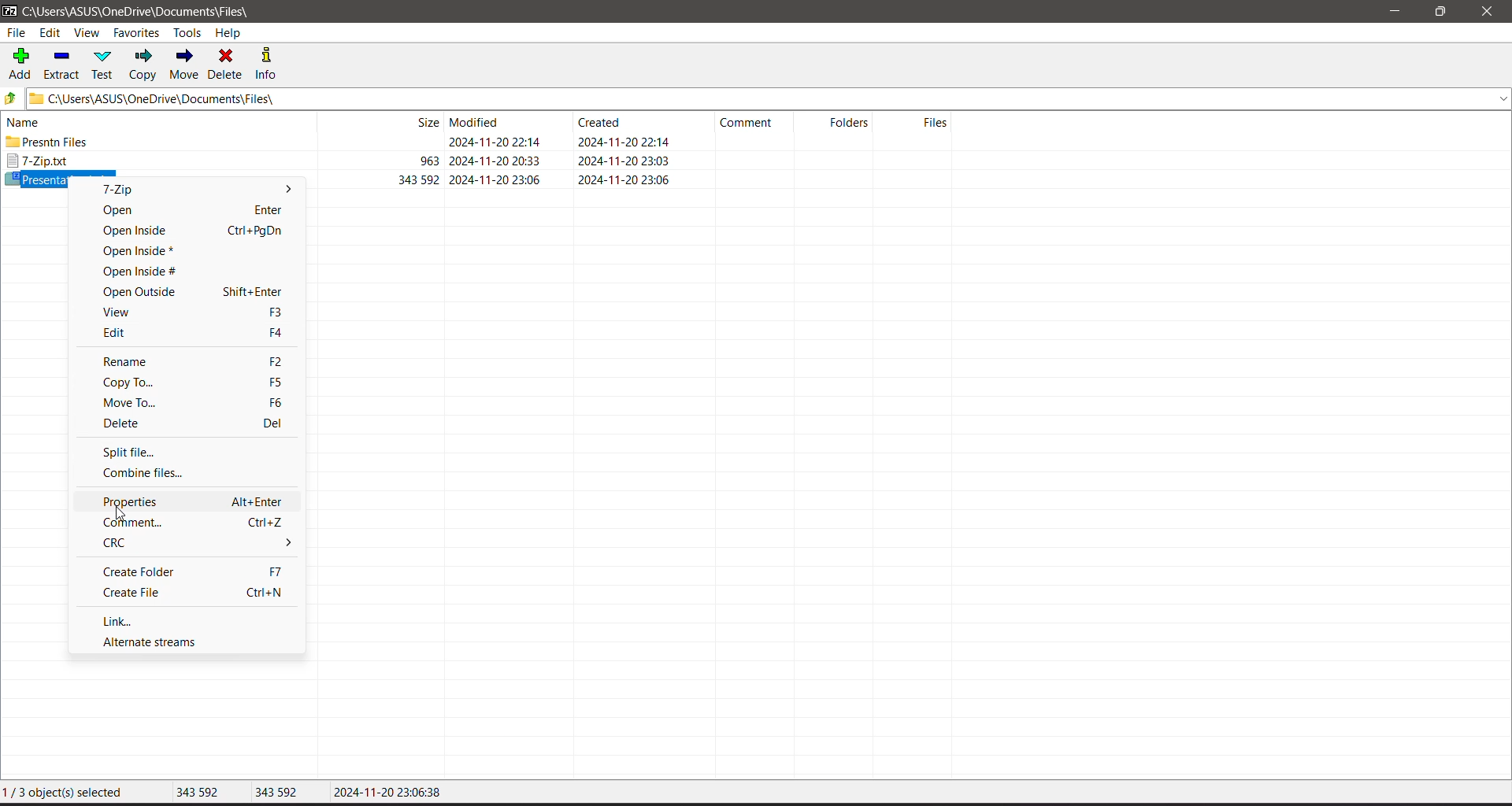 This screenshot has height=806, width=1512. I want to click on Link, so click(126, 620).